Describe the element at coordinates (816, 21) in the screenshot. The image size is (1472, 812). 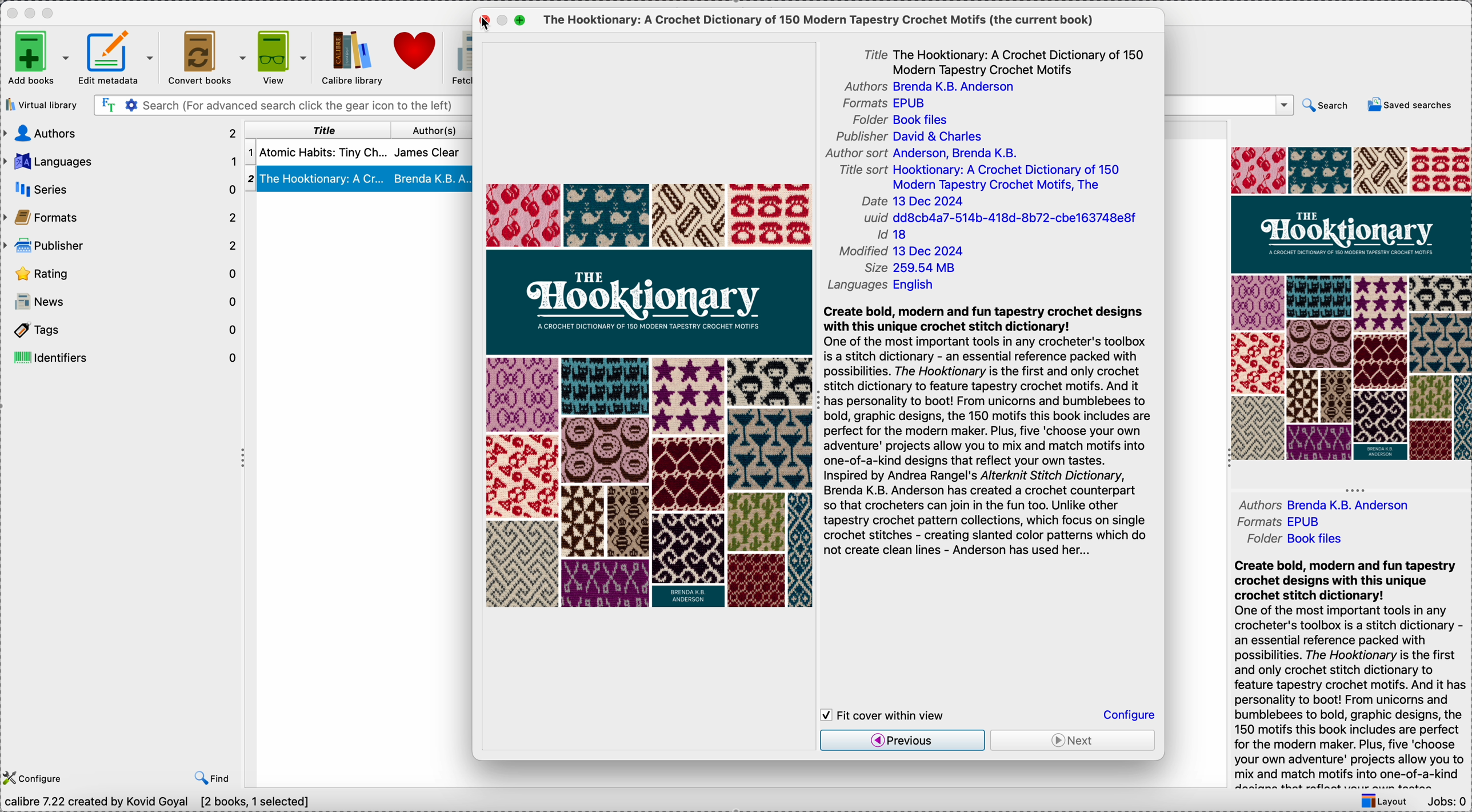
I see `The Hooktionary: A Crochet Dictionary of 150 Modern Tapestry Crochet Motifs (the current book)` at that location.